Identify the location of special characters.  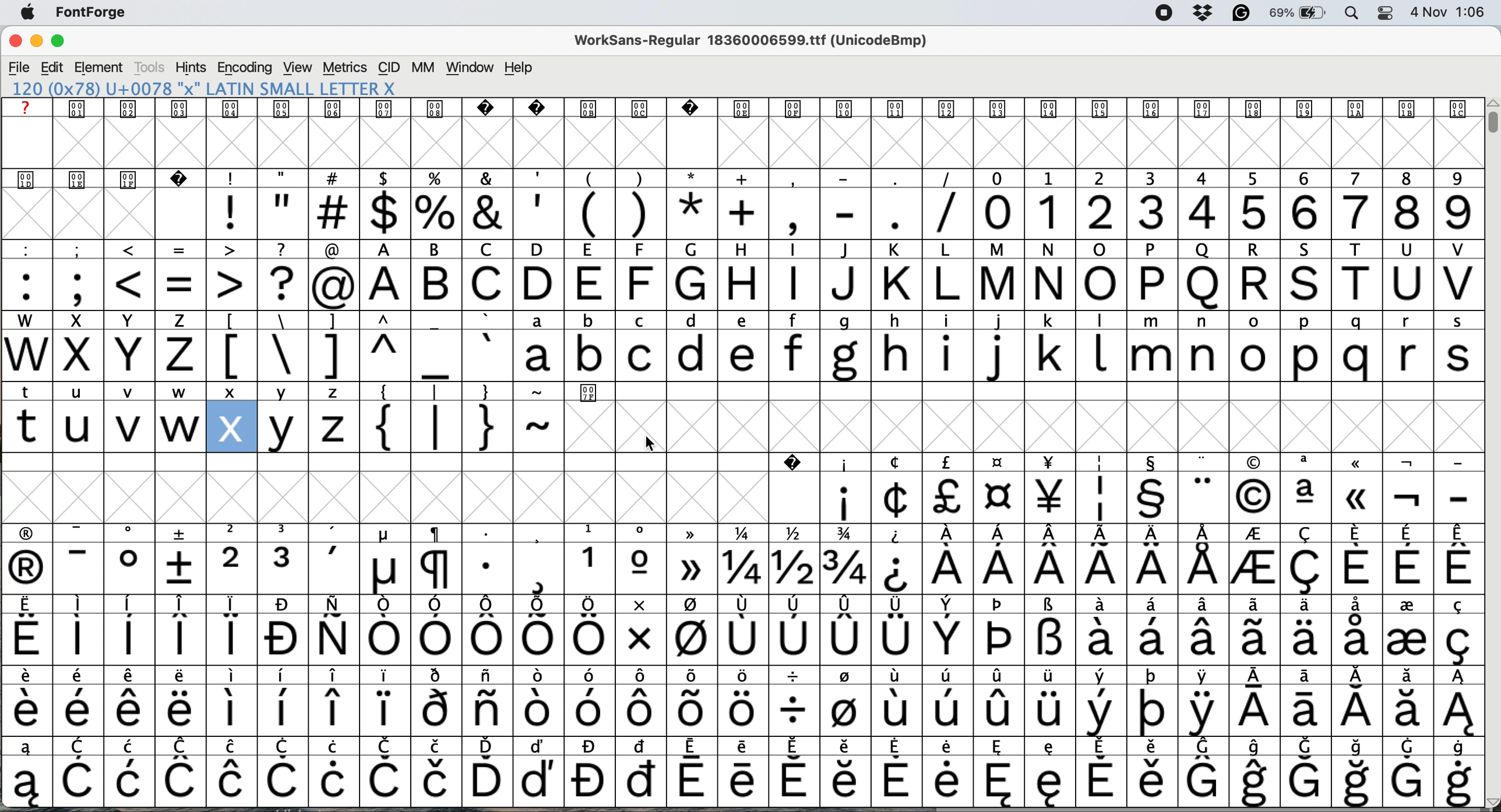
(745, 745).